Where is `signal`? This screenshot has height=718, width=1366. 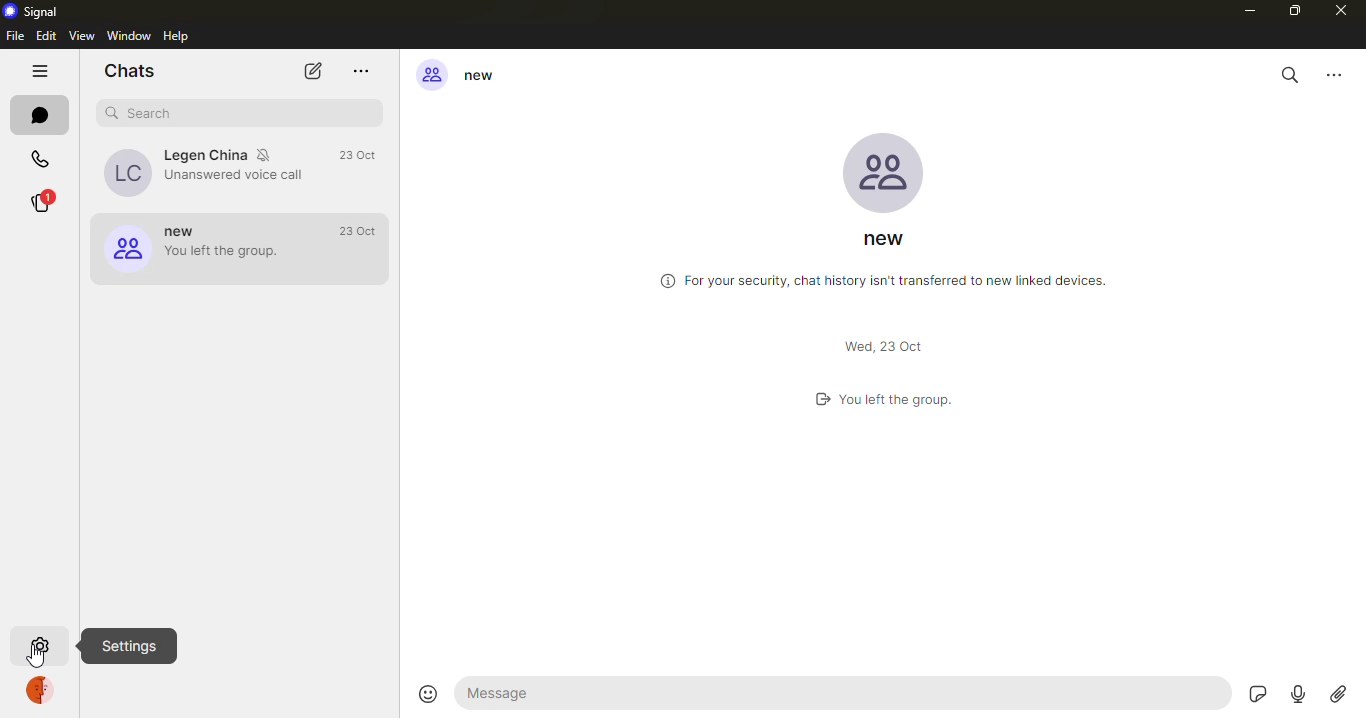 signal is located at coordinates (31, 11).